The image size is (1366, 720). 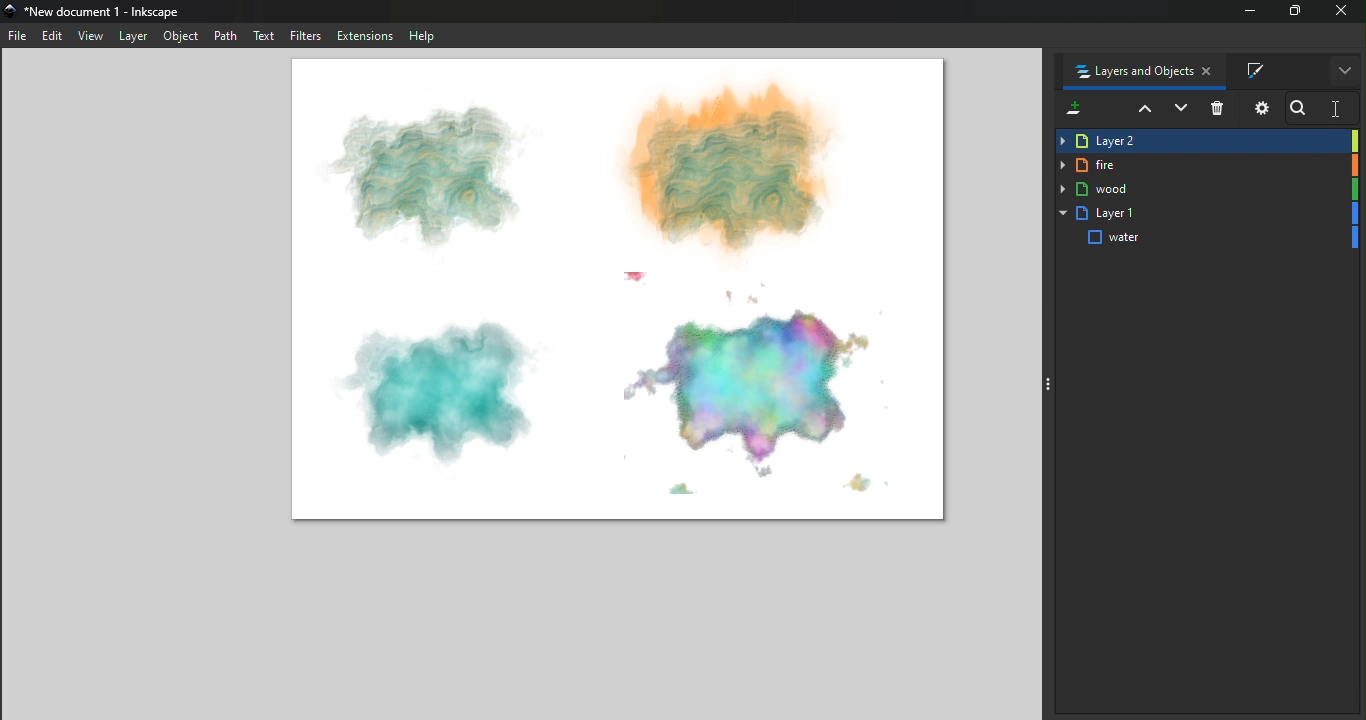 I want to click on fire Layer, so click(x=1206, y=166).